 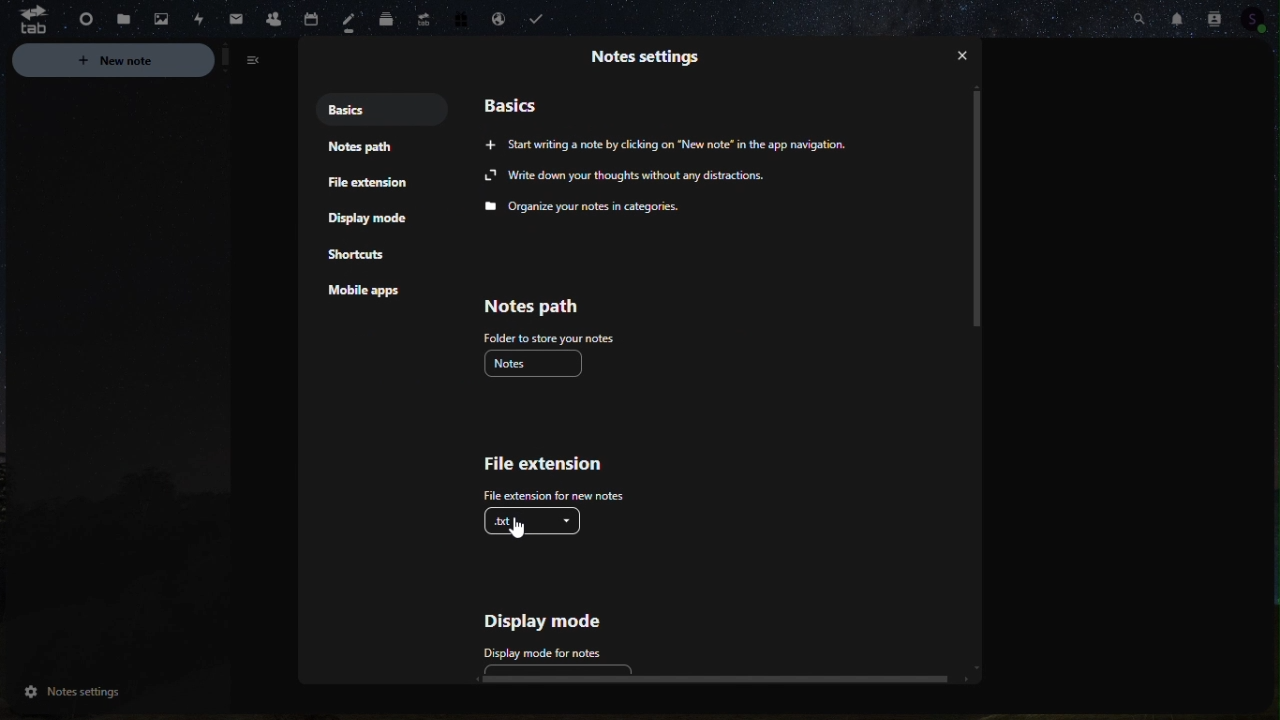 What do you see at coordinates (548, 305) in the screenshot?
I see `Note path` at bounding box center [548, 305].